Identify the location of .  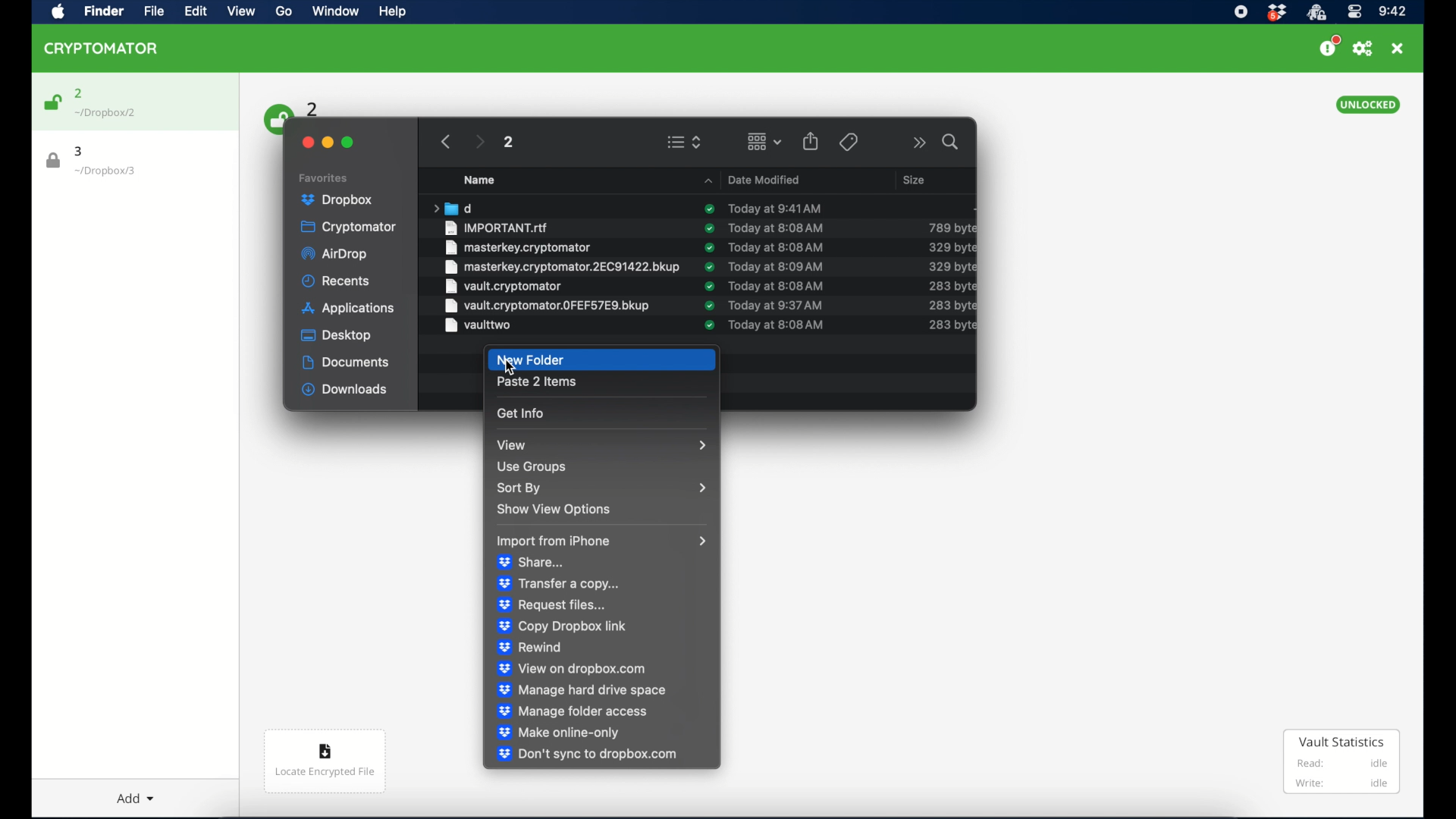
(776, 267).